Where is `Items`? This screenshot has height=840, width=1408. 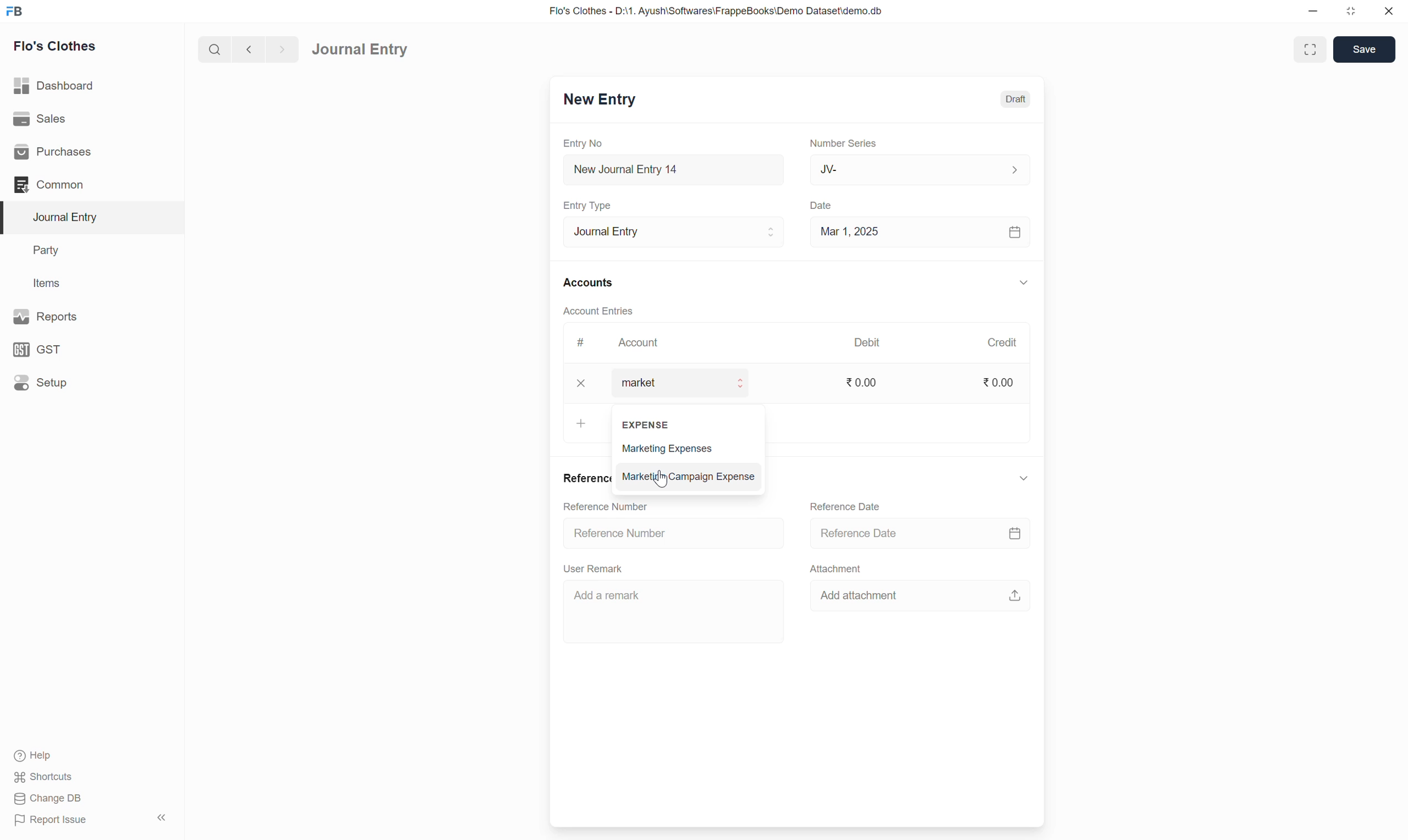 Items is located at coordinates (46, 282).